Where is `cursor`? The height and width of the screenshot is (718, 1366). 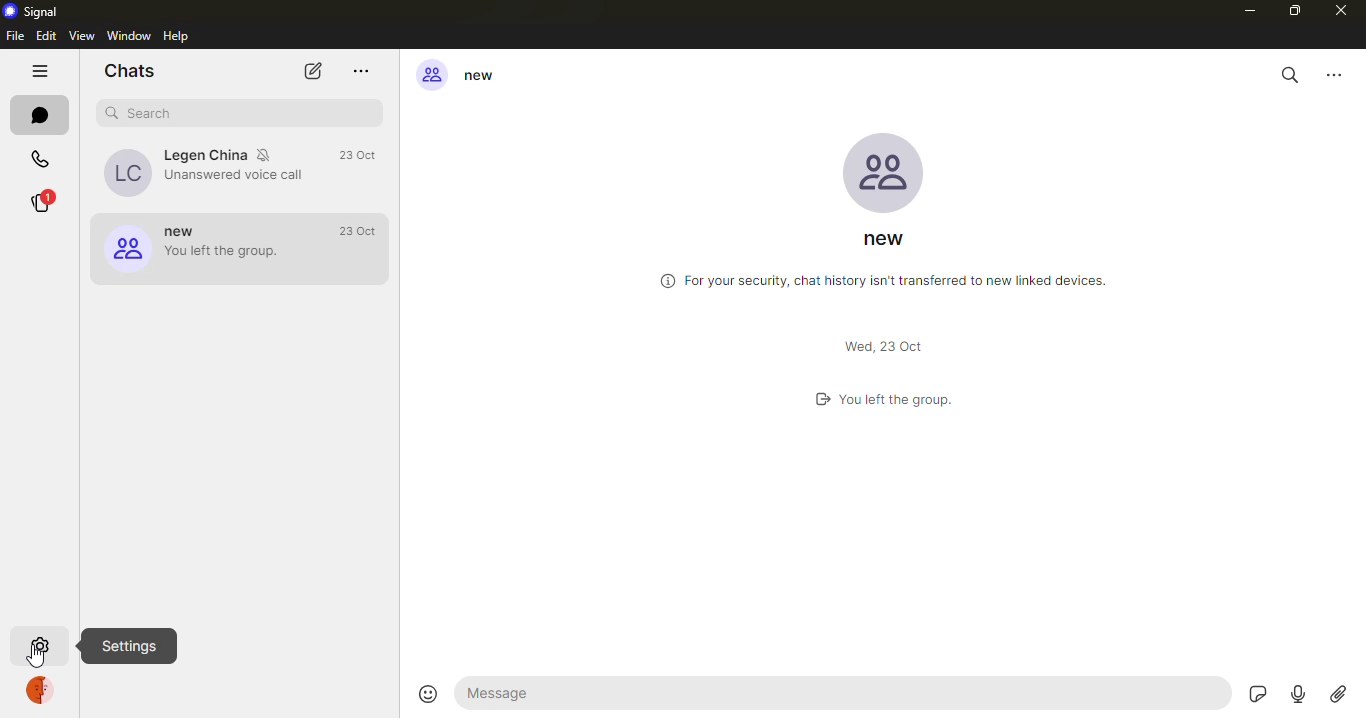
cursor is located at coordinates (38, 659).